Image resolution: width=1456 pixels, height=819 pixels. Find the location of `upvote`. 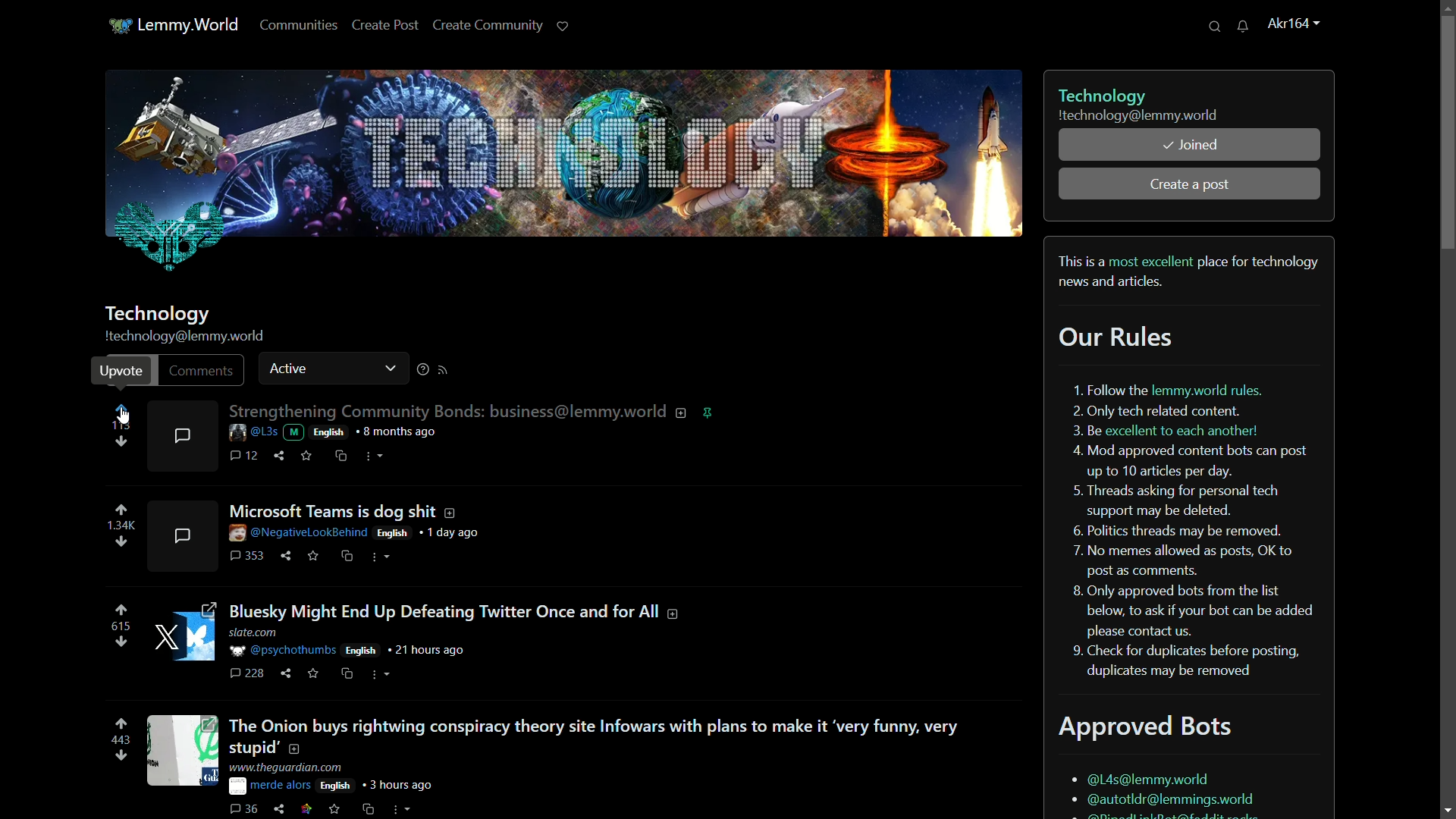

upvote is located at coordinates (124, 409).